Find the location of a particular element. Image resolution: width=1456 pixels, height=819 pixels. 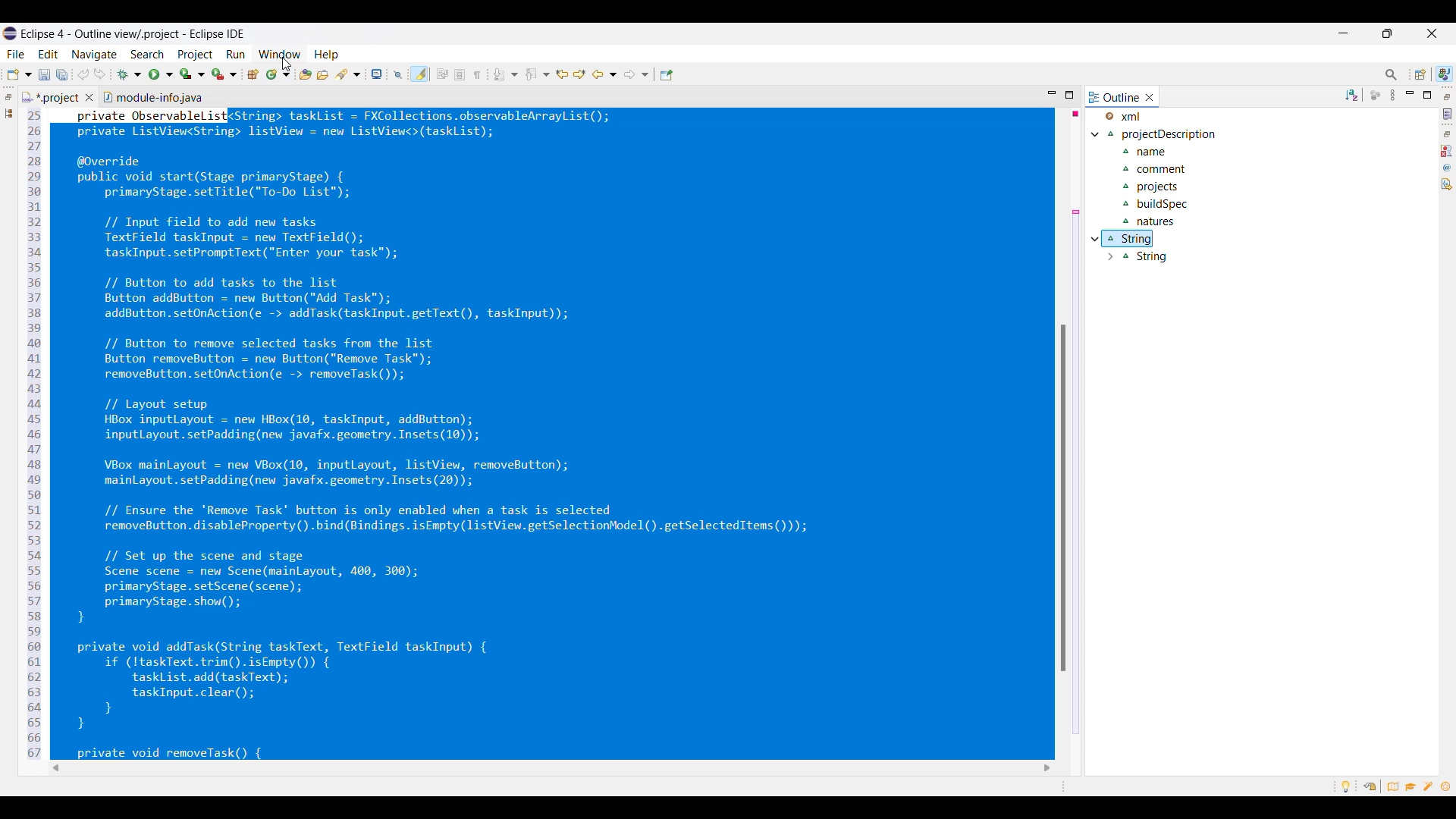

Navigate menu is located at coordinates (93, 55).